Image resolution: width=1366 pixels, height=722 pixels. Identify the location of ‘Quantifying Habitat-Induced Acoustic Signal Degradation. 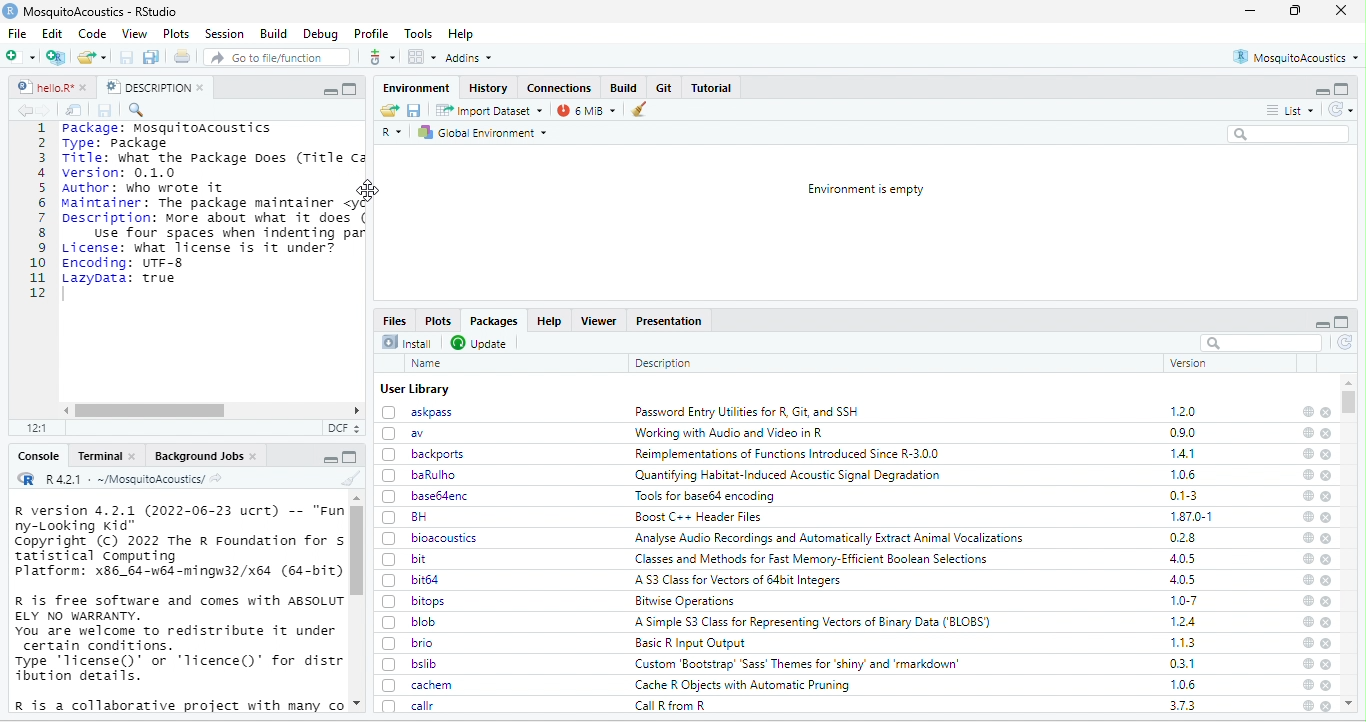
(788, 475).